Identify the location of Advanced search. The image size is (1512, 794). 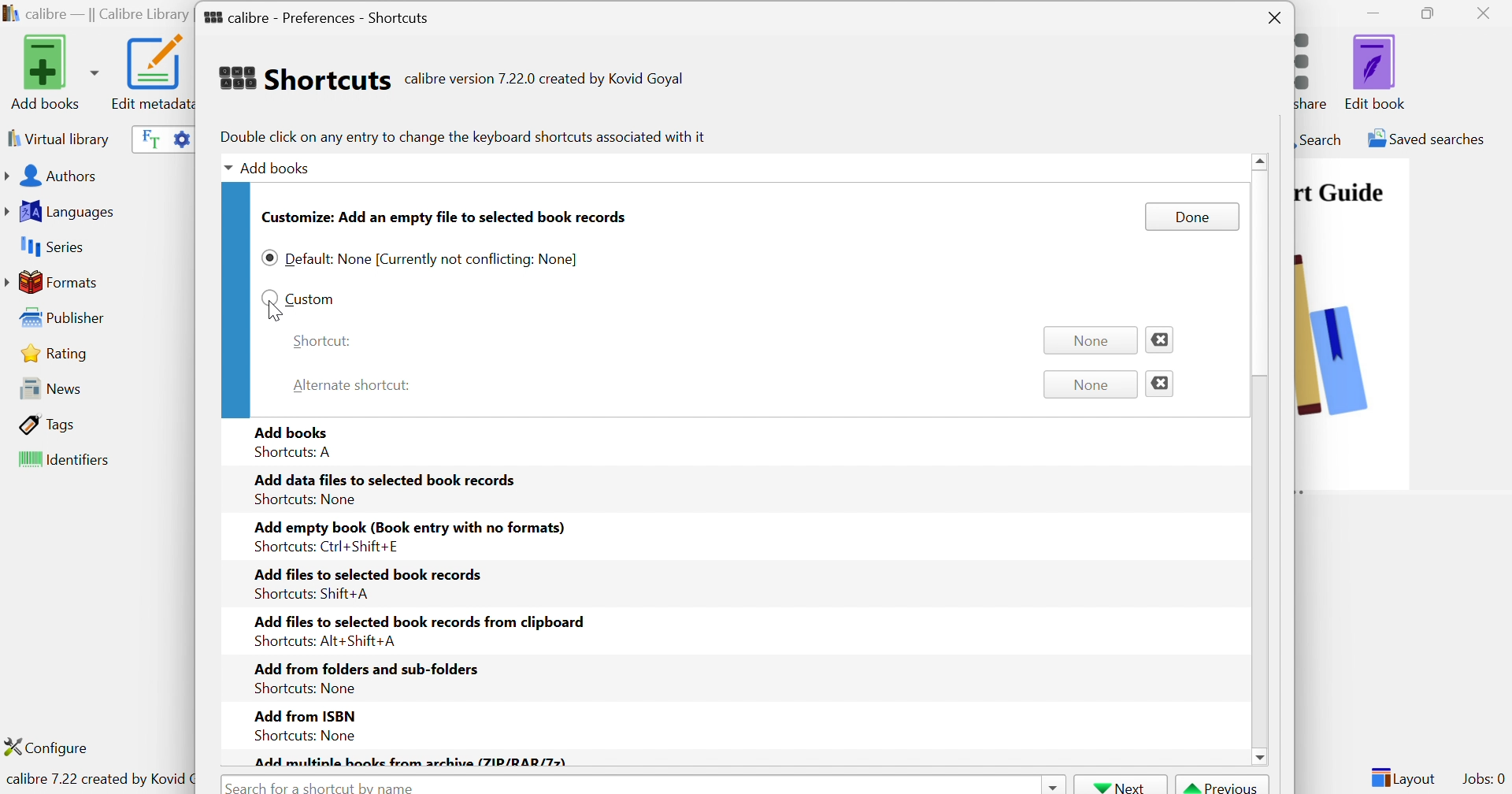
(180, 137).